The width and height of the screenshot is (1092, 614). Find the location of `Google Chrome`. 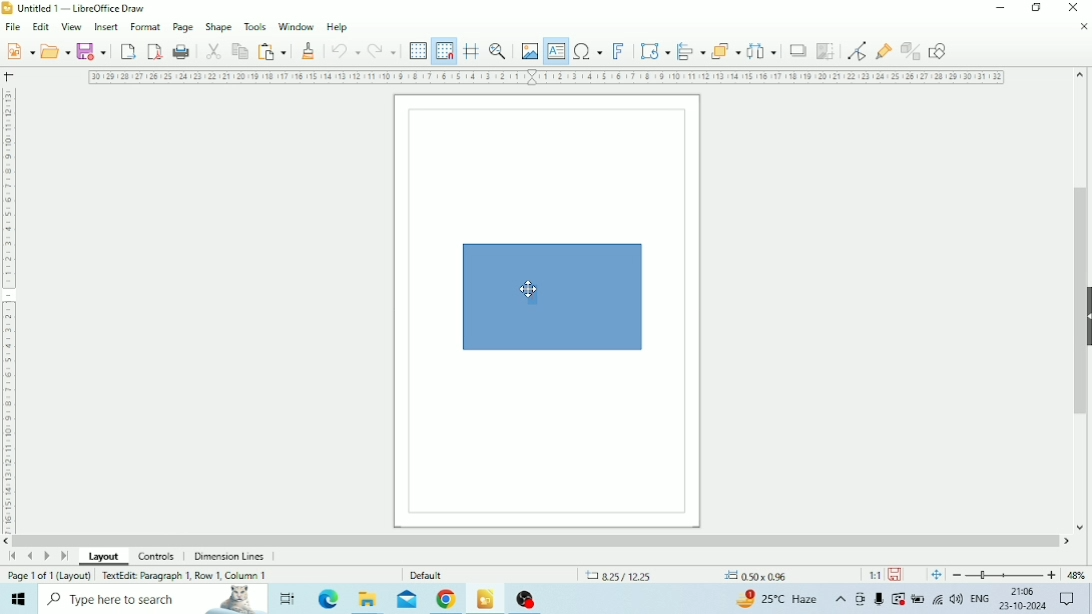

Google Chrome is located at coordinates (447, 599).